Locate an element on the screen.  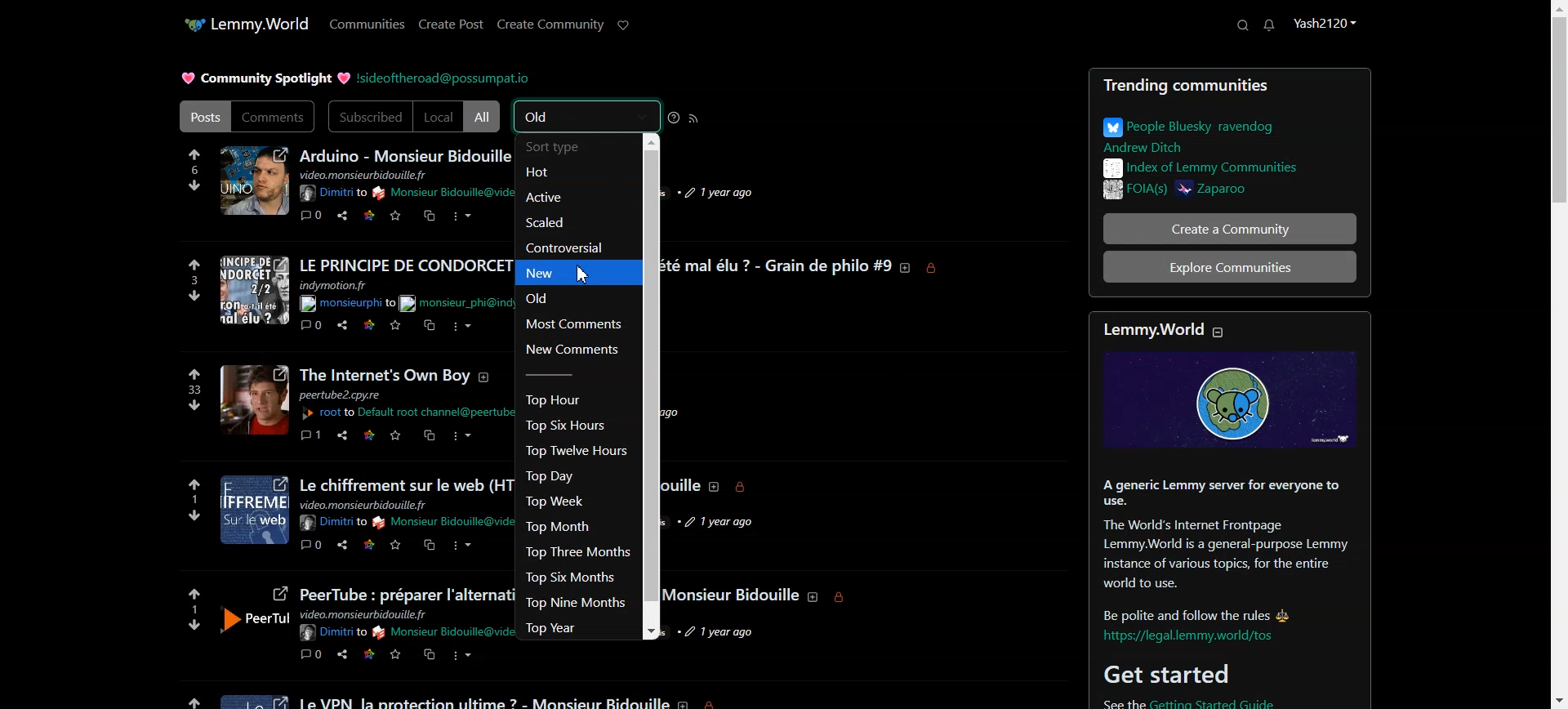
Support Lemmy is located at coordinates (622, 26).